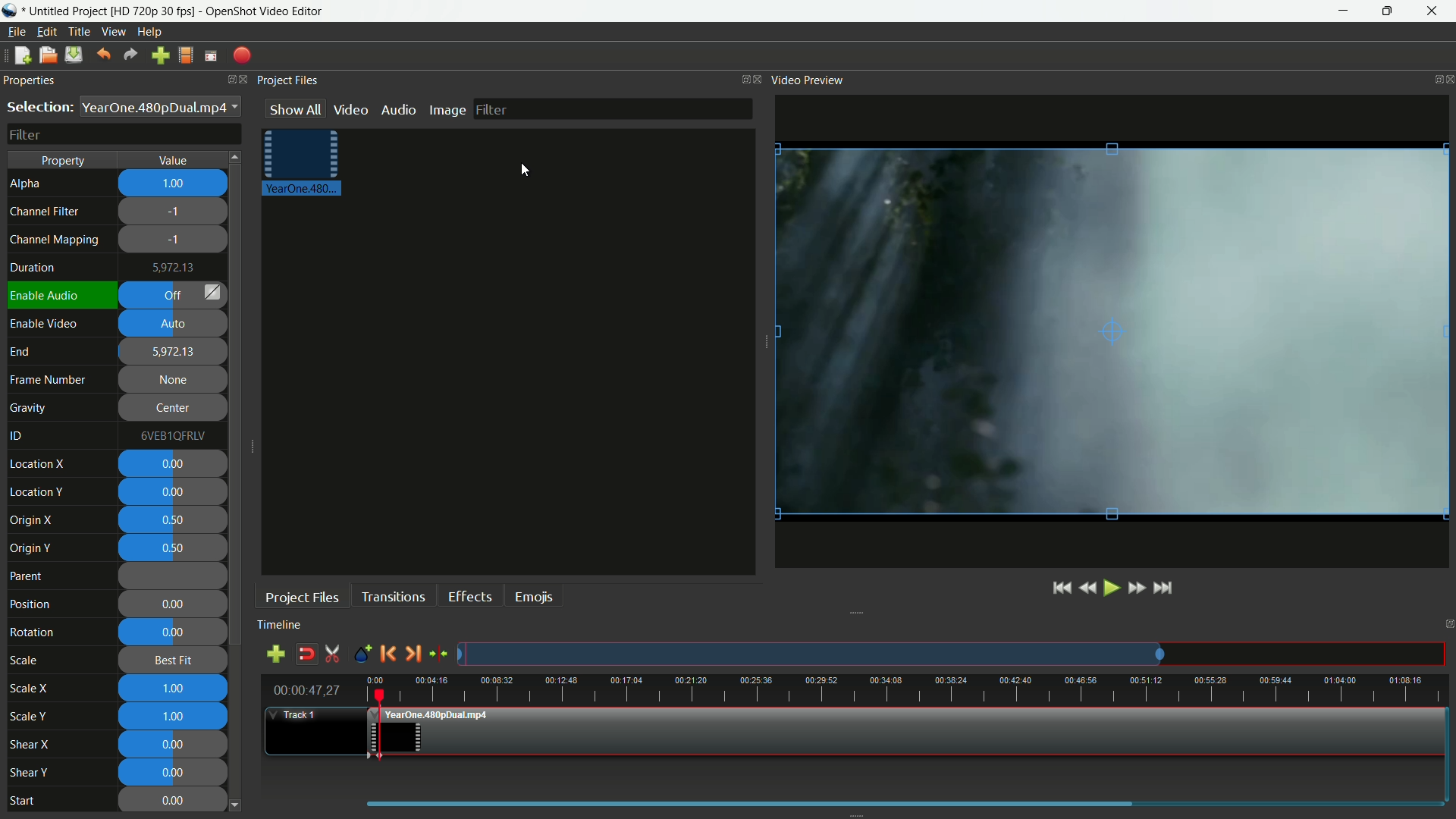 This screenshot has width=1456, height=819. I want to click on file menu, so click(17, 31).